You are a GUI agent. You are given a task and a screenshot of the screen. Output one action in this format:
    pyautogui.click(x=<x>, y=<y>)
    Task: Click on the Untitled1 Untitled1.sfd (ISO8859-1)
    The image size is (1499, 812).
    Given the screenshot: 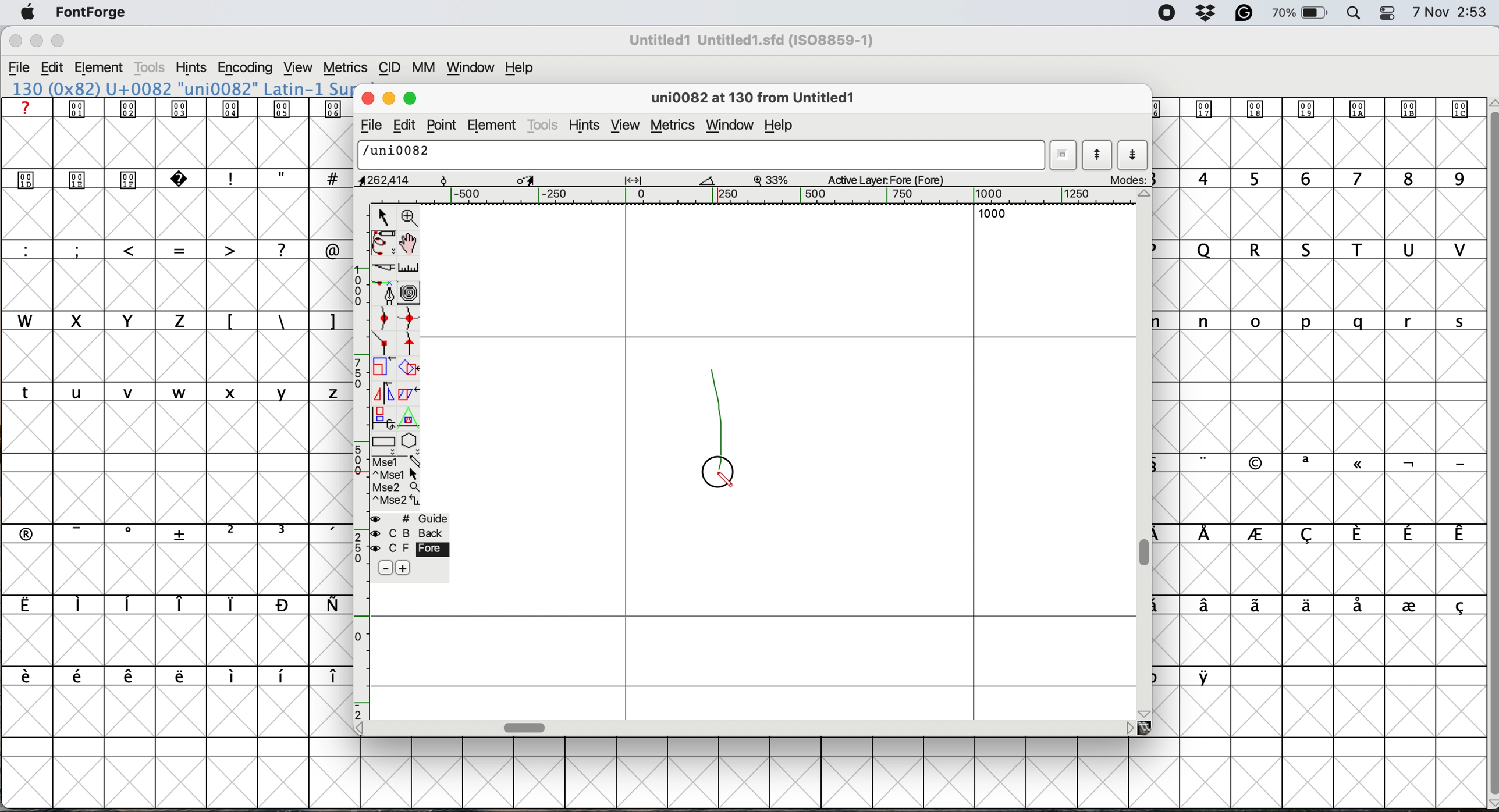 What is the action you would take?
    pyautogui.click(x=755, y=40)
    